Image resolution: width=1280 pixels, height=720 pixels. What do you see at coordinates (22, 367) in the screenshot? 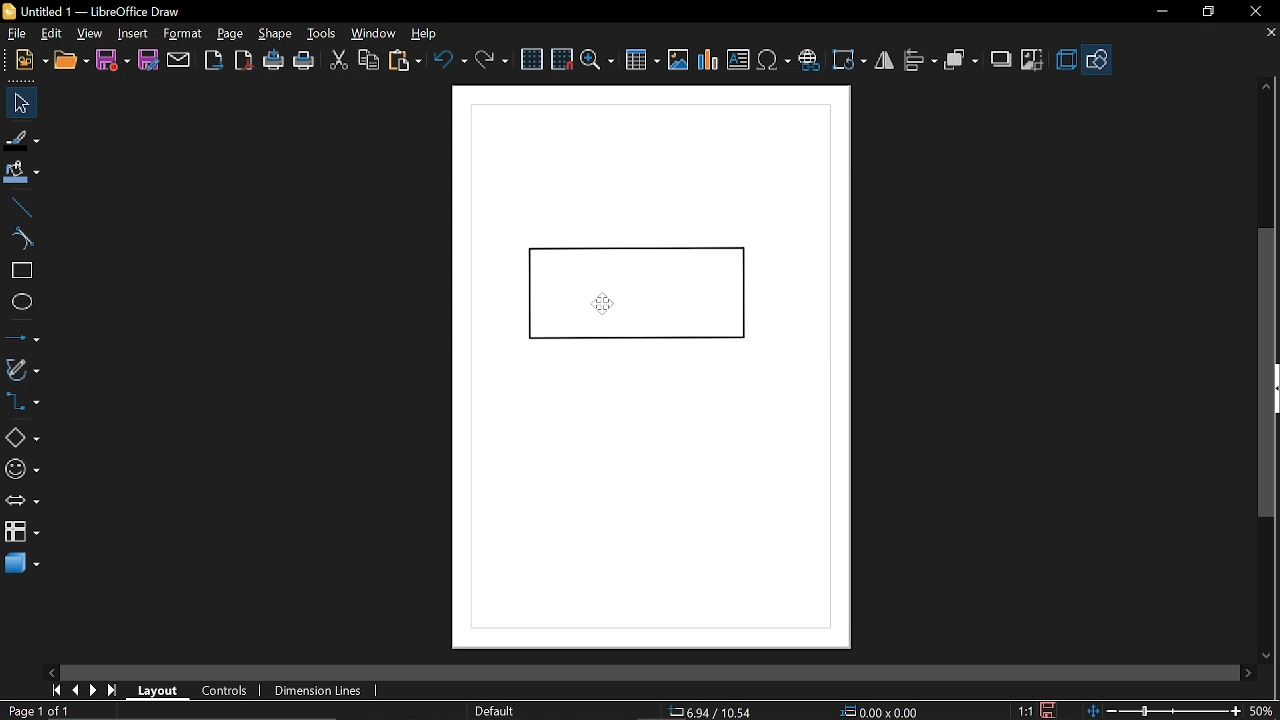
I see `curves and polygons` at bounding box center [22, 367].